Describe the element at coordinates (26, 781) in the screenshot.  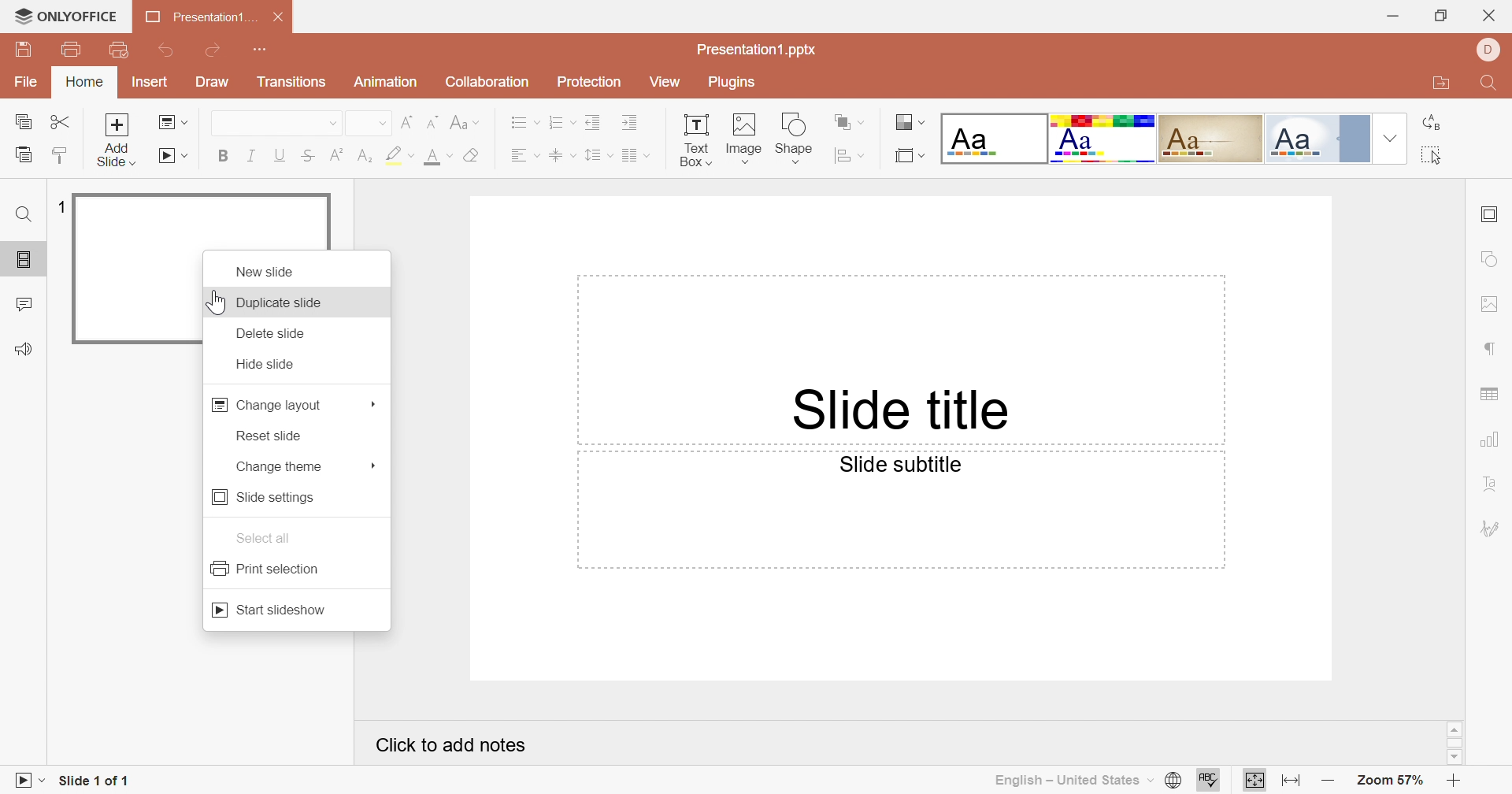
I see `Start slideshow` at that location.